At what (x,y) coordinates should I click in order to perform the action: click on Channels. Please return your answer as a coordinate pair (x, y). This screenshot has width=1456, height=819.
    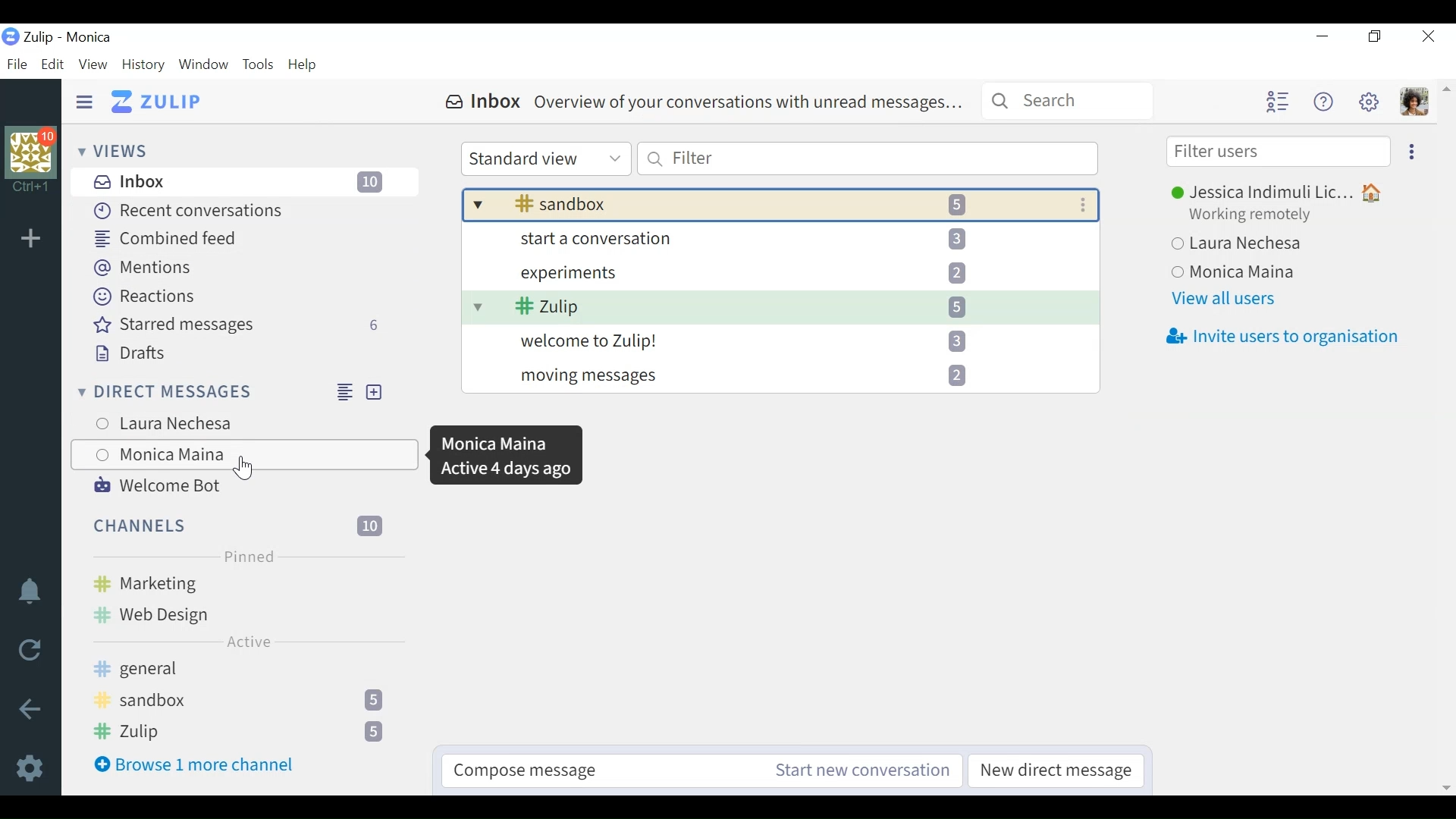
    Looking at the image, I should click on (240, 524).